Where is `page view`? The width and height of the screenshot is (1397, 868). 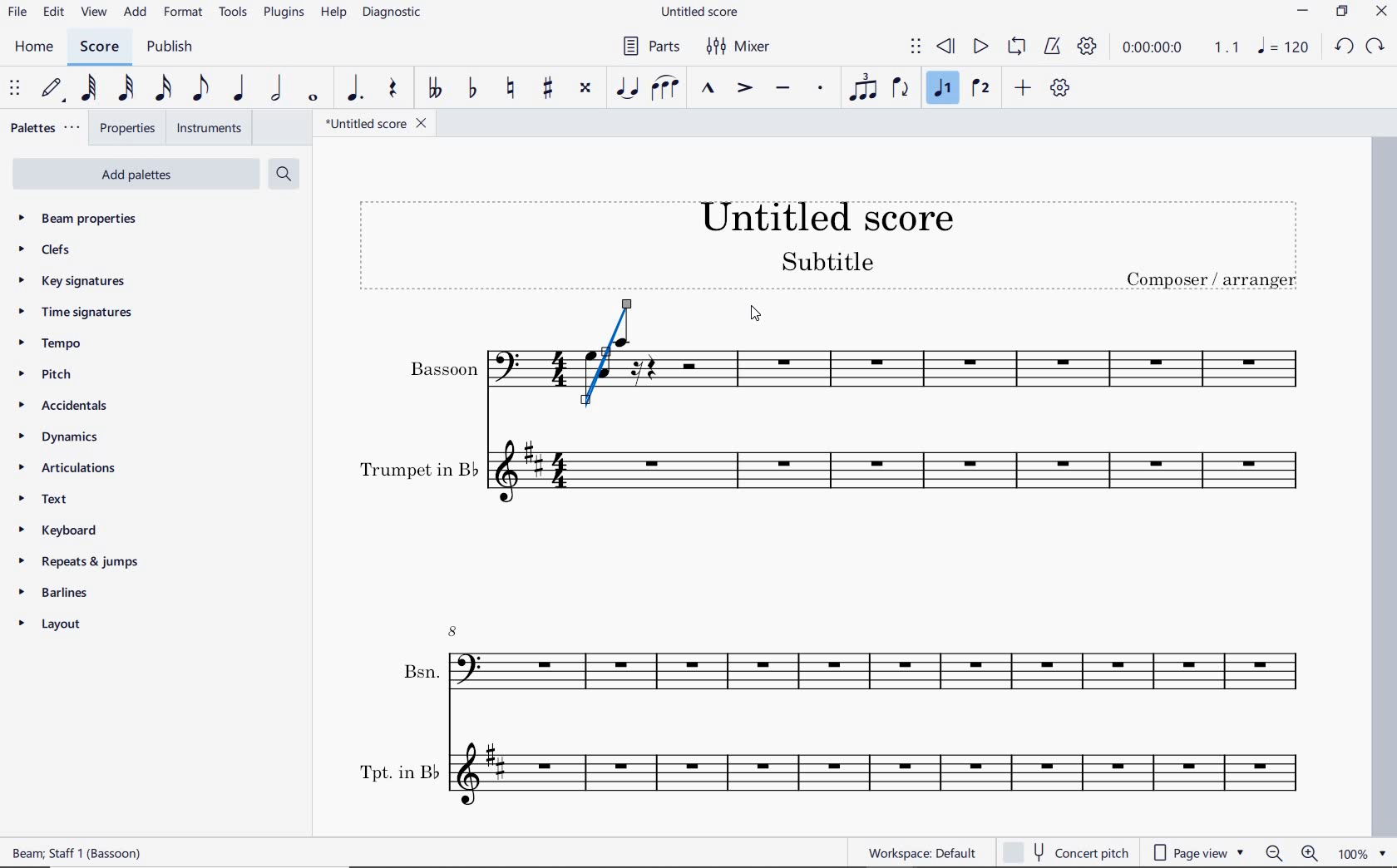
page view is located at coordinates (1197, 851).